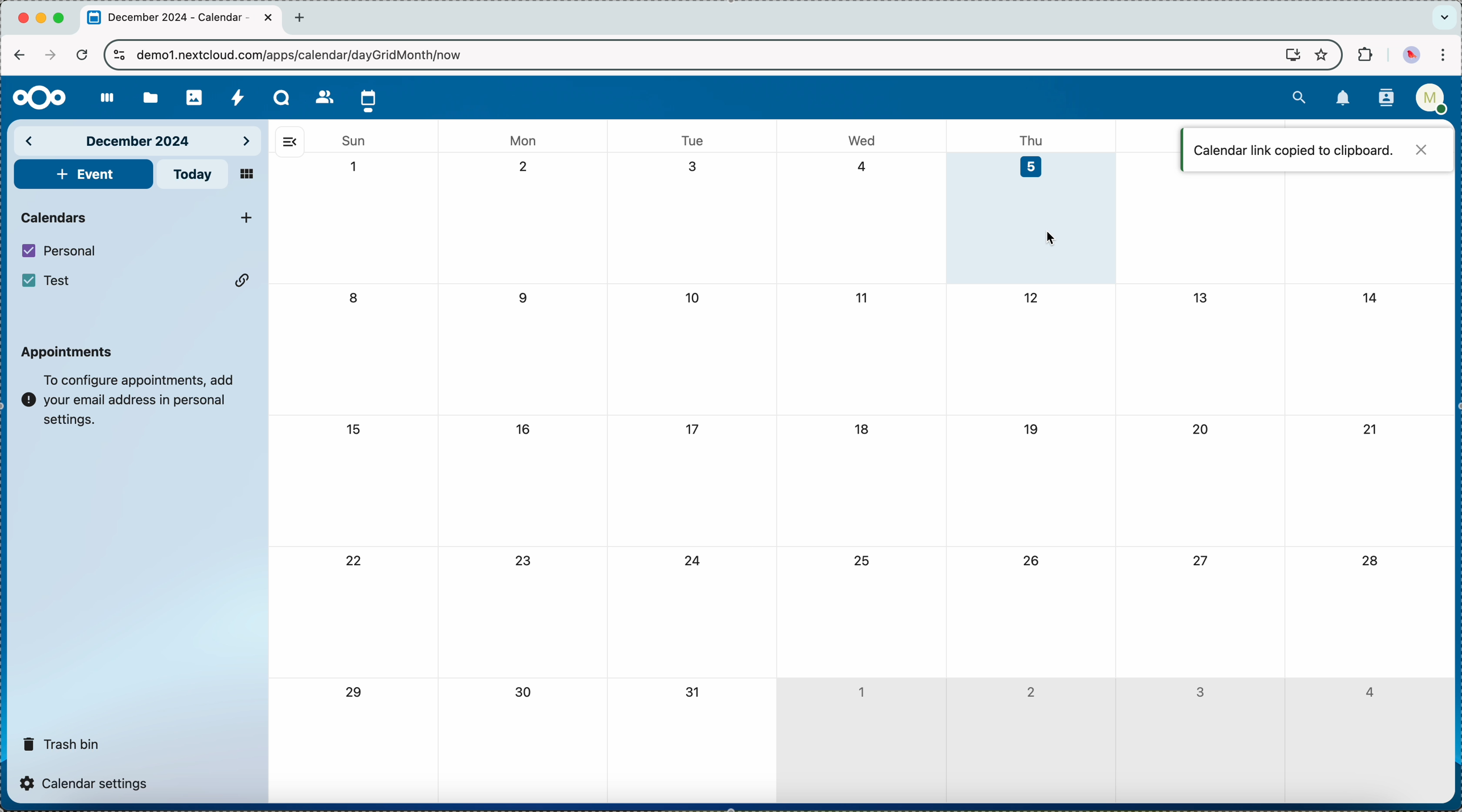  What do you see at coordinates (61, 18) in the screenshot?
I see `maximize` at bounding box center [61, 18].